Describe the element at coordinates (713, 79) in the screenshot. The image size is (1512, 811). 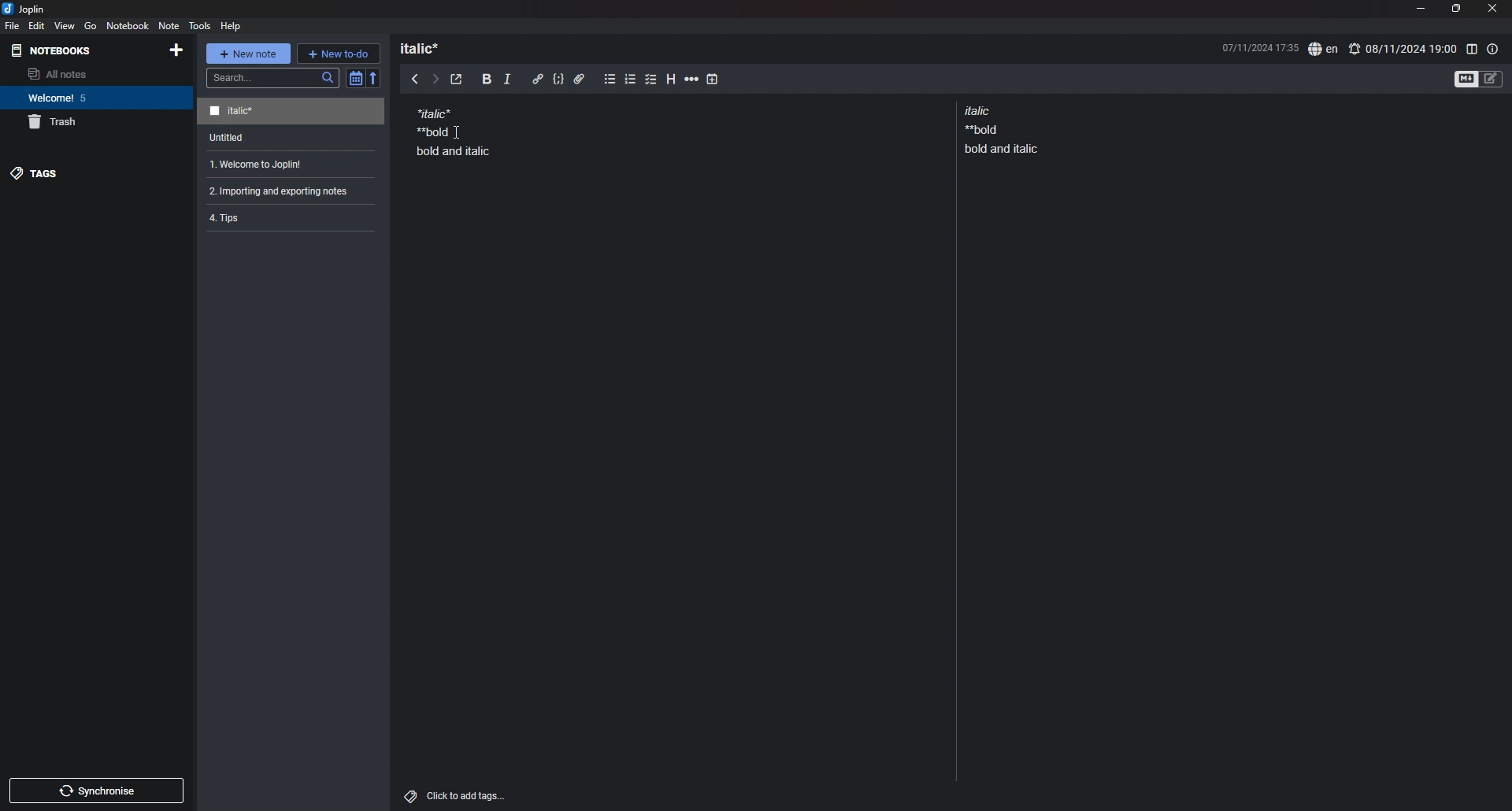
I see `add time` at that location.